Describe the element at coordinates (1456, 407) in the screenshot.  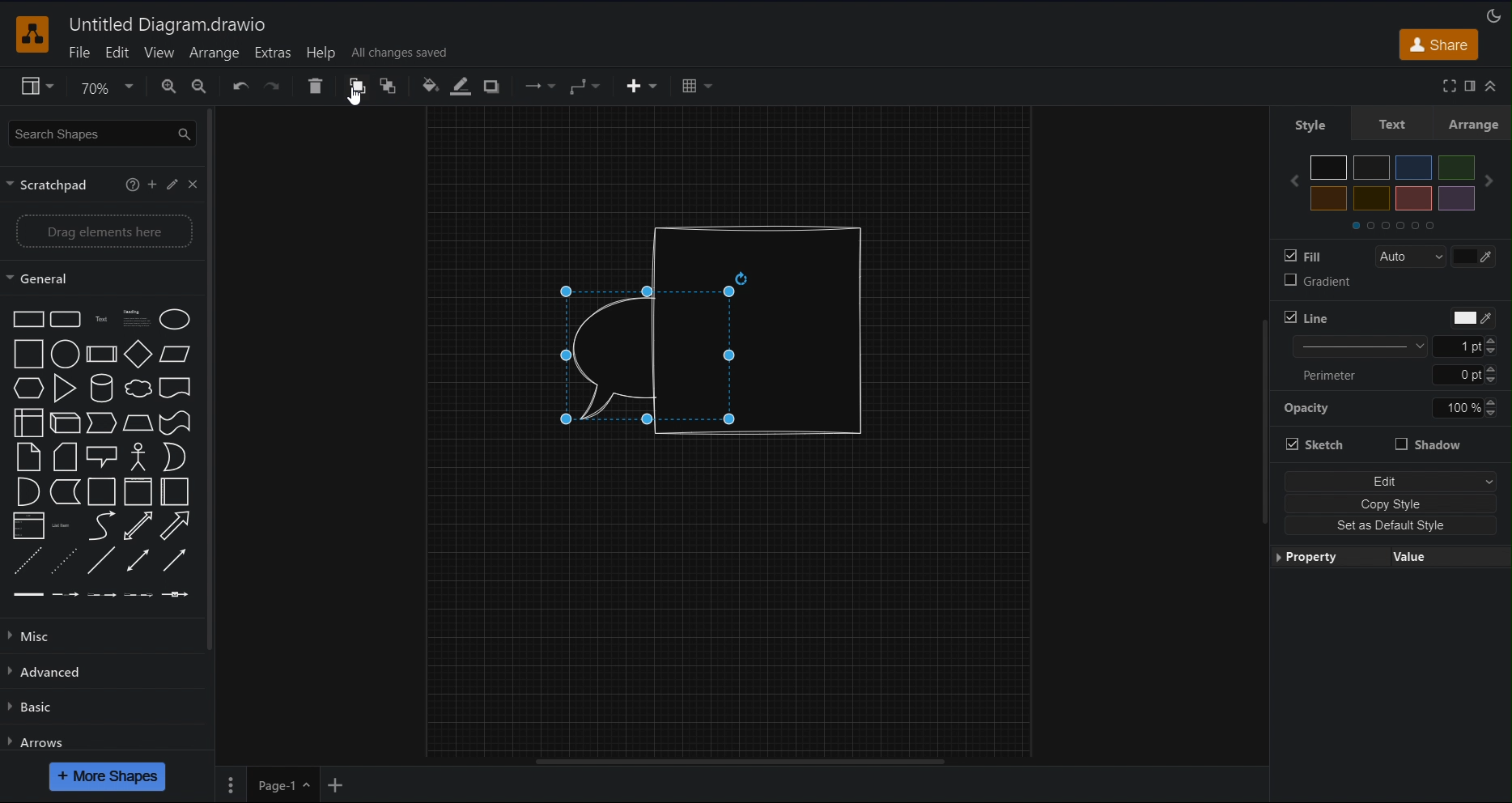
I see `Manually input opacity` at that location.